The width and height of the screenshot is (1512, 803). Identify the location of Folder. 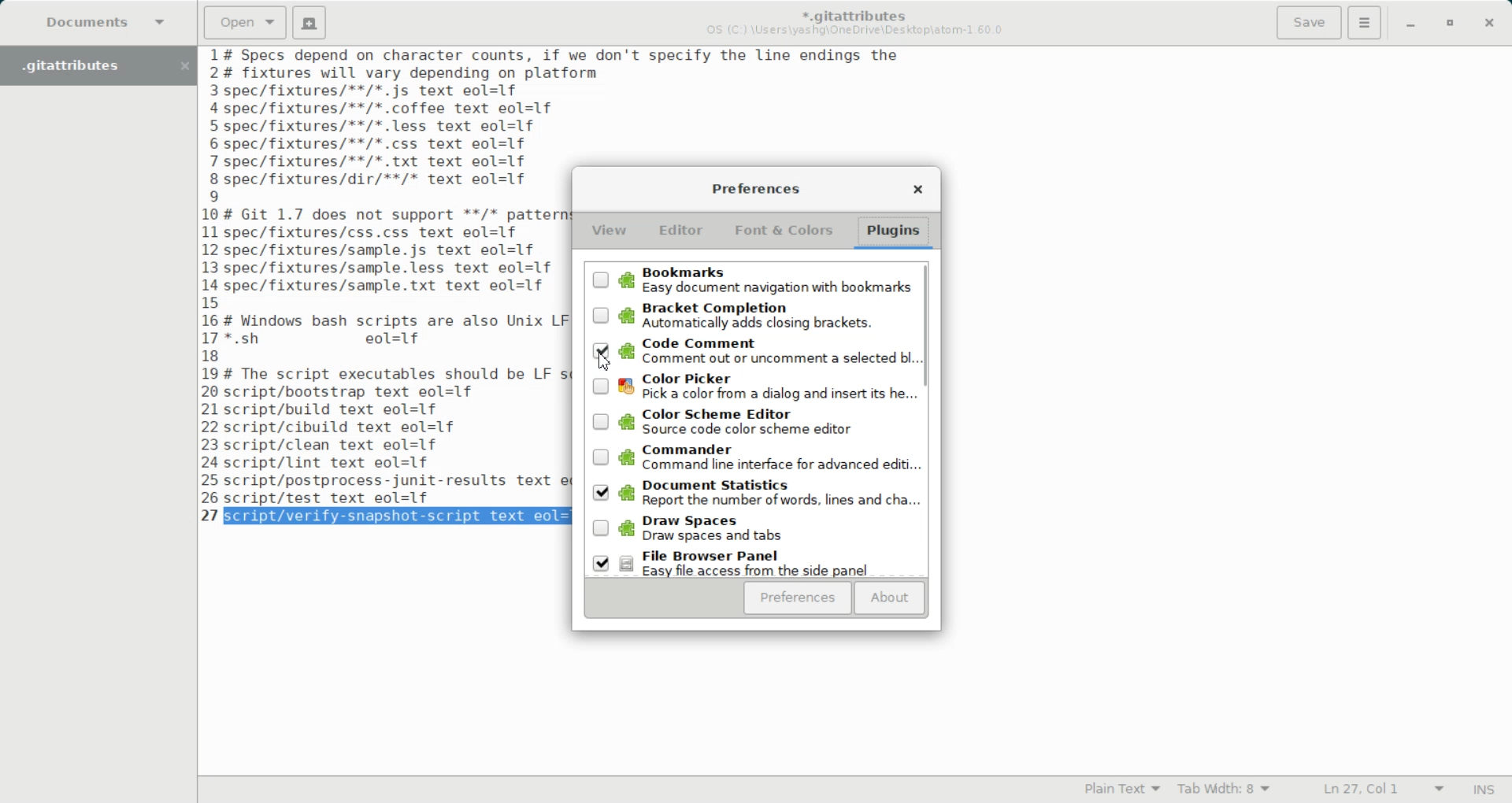
(82, 65).